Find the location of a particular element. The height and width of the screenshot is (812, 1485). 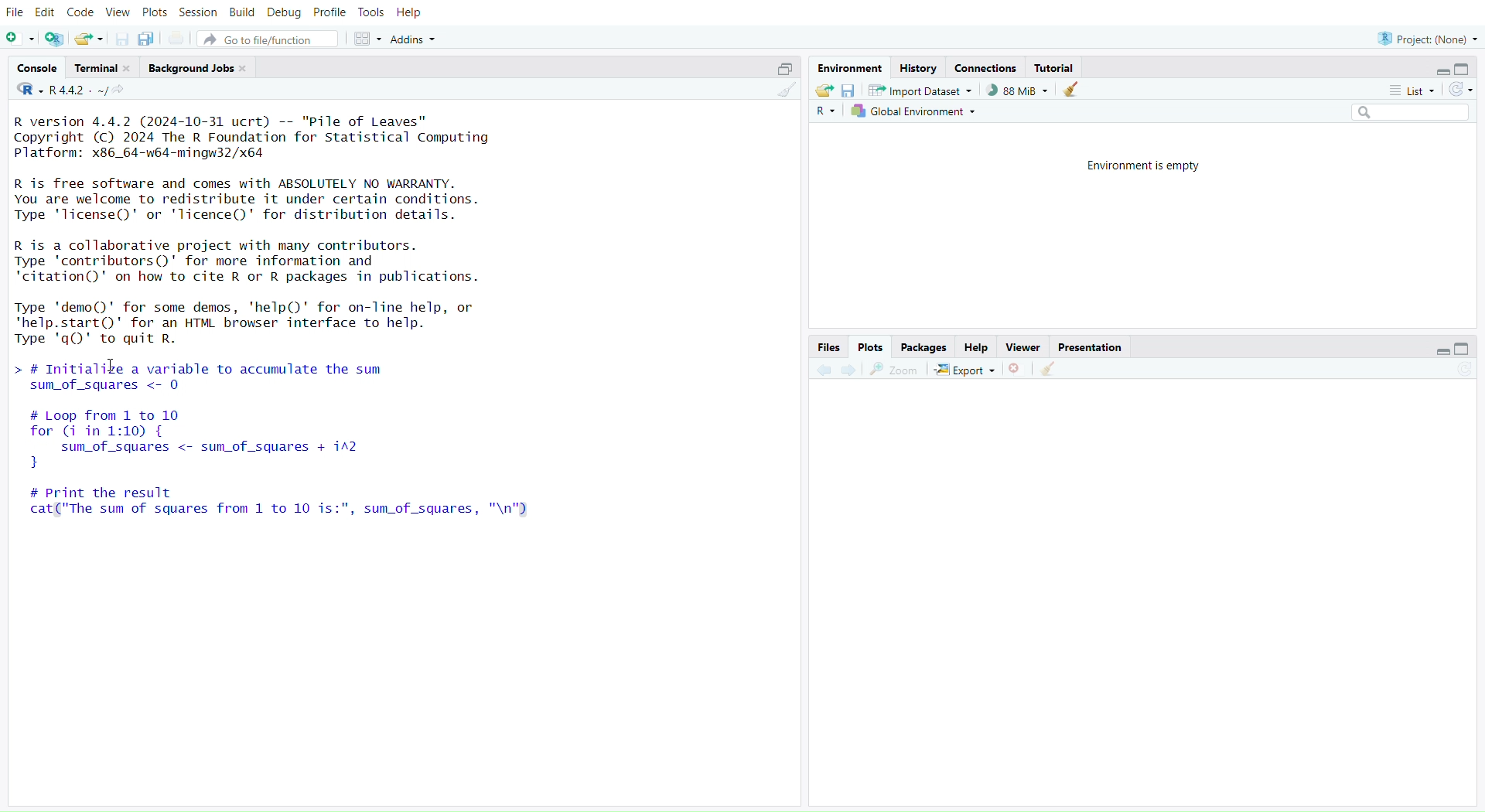

viewer is located at coordinates (1025, 346).